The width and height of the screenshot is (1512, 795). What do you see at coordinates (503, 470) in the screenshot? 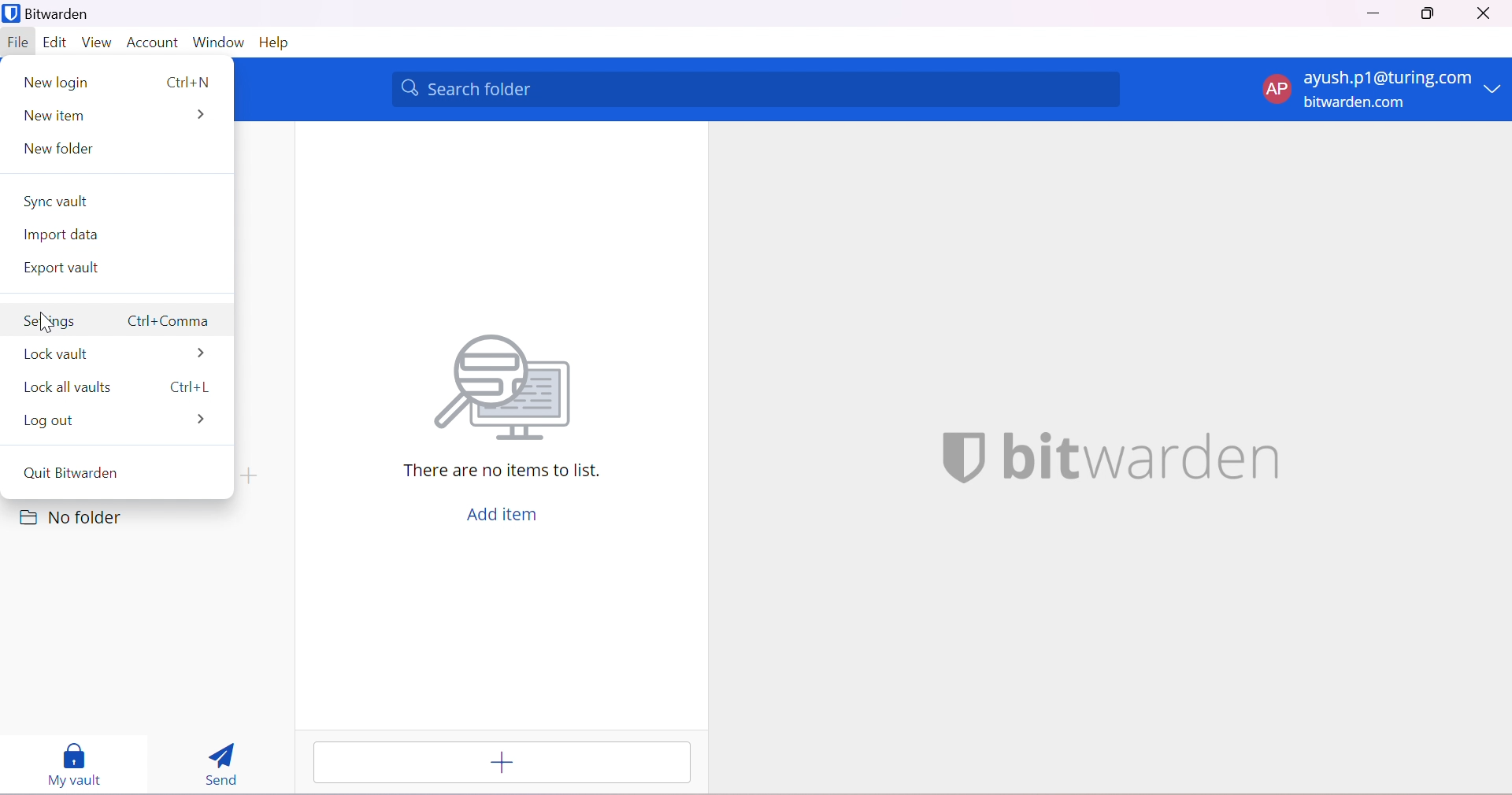
I see `There are no items to list.` at bounding box center [503, 470].